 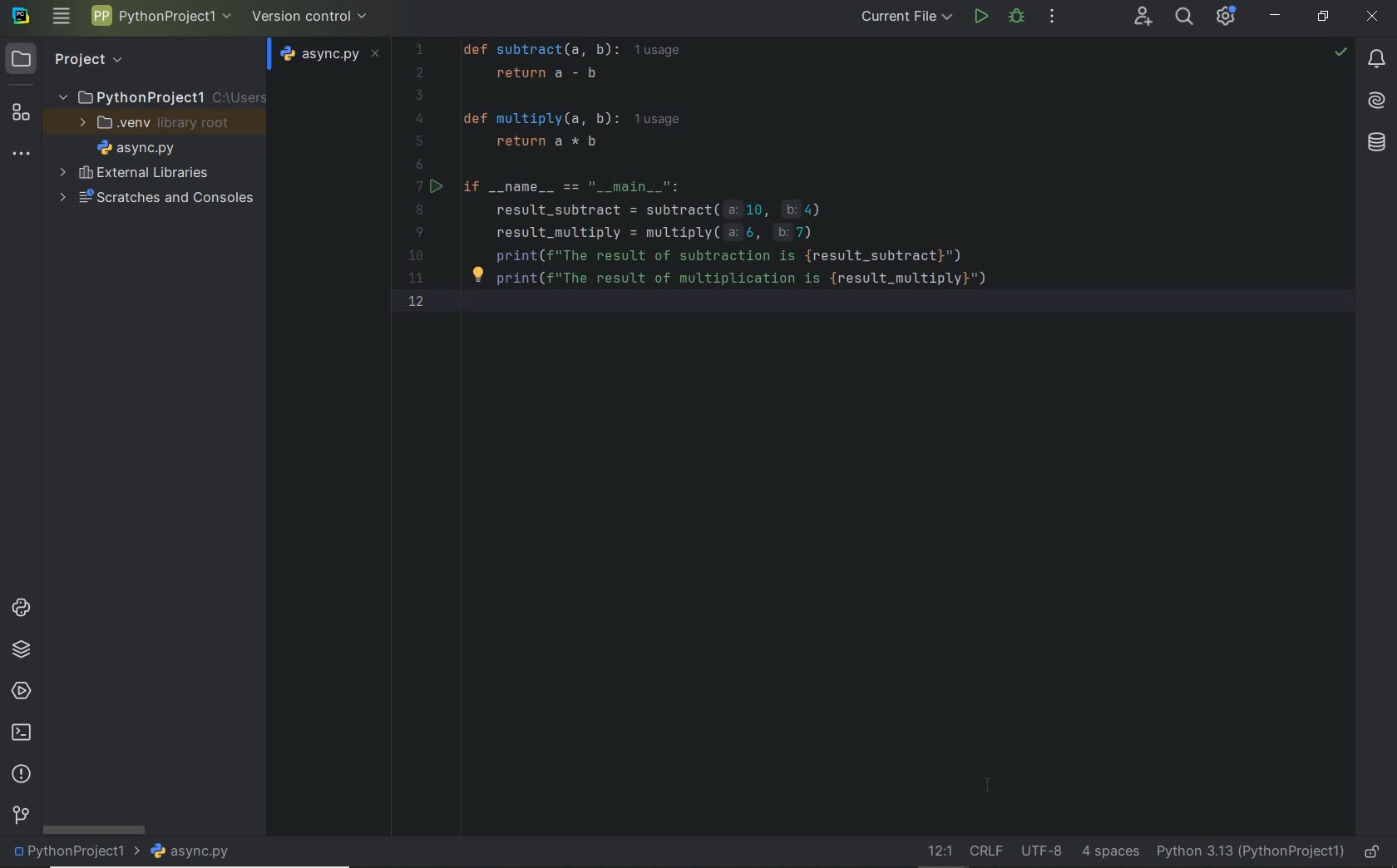 What do you see at coordinates (72, 58) in the screenshot?
I see `Project` at bounding box center [72, 58].